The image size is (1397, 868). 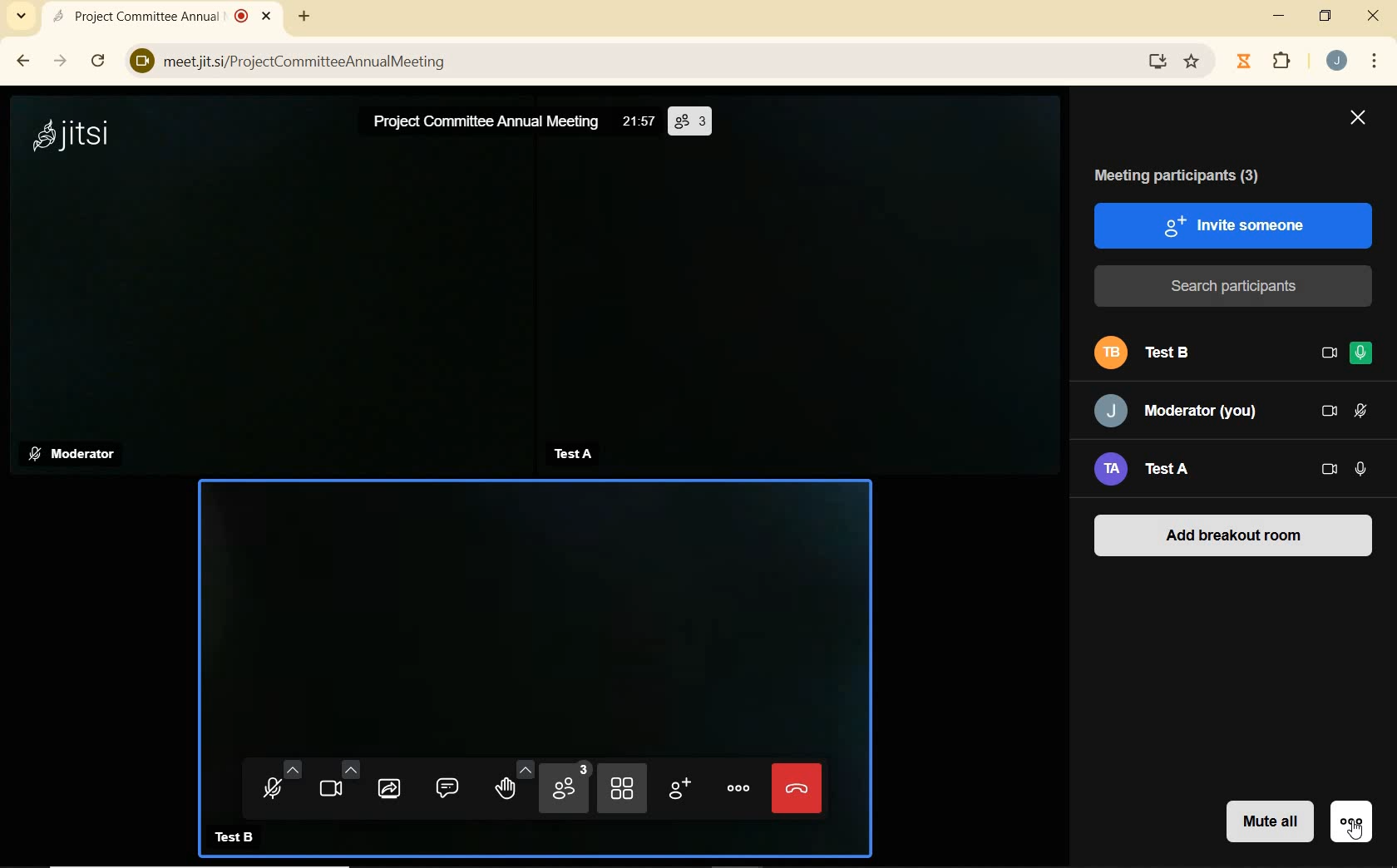 What do you see at coordinates (678, 792) in the screenshot?
I see `Invite people` at bounding box center [678, 792].